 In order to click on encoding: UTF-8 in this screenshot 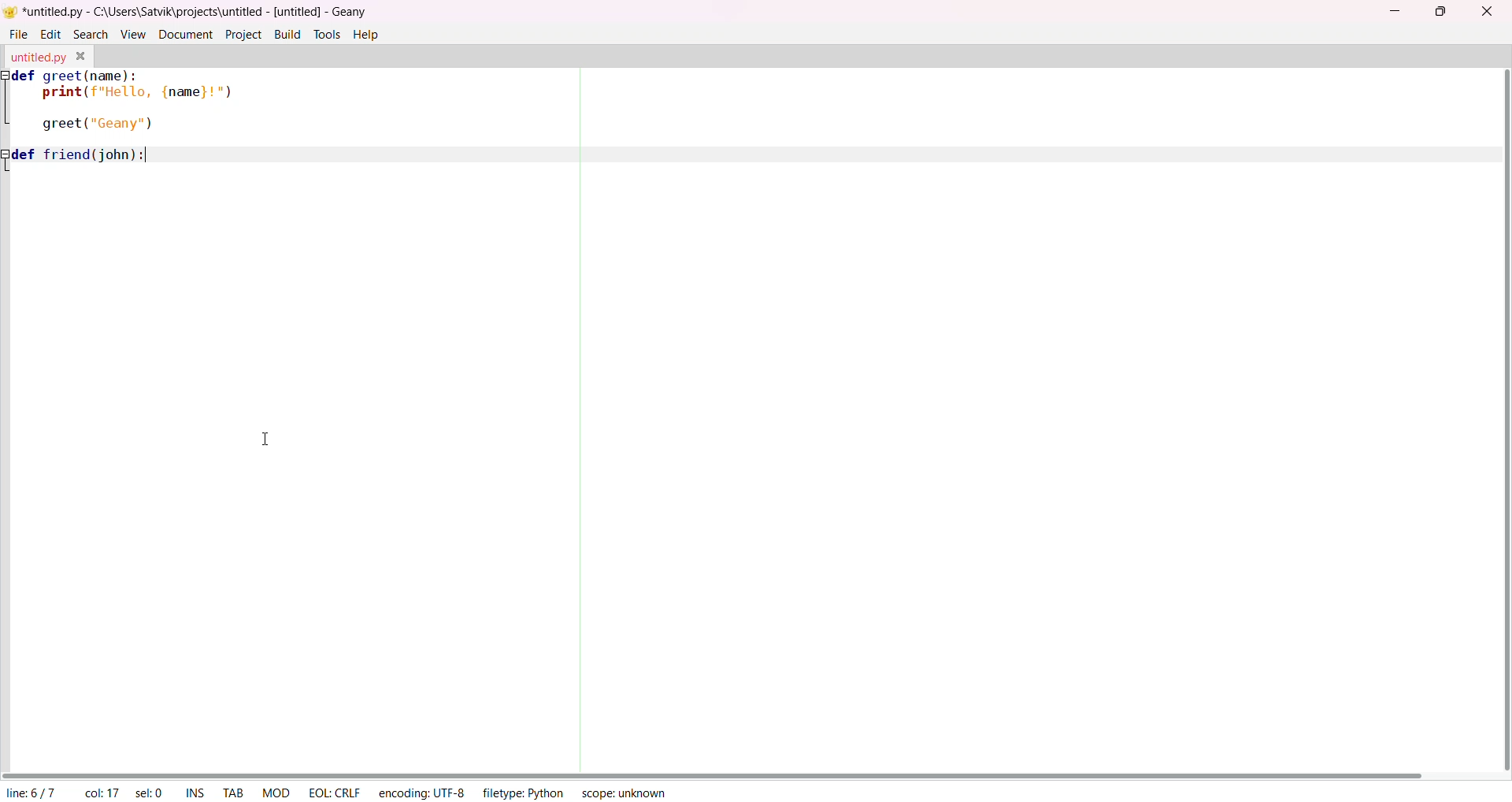, I will do `click(421, 790)`.